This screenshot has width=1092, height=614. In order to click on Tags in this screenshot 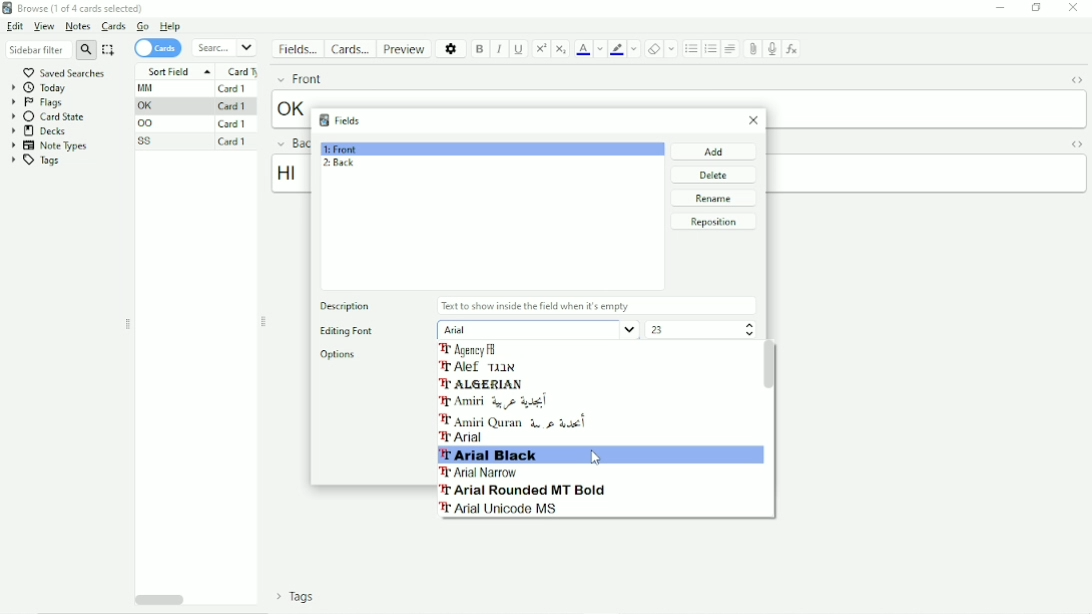, I will do `click(41, 161)`.